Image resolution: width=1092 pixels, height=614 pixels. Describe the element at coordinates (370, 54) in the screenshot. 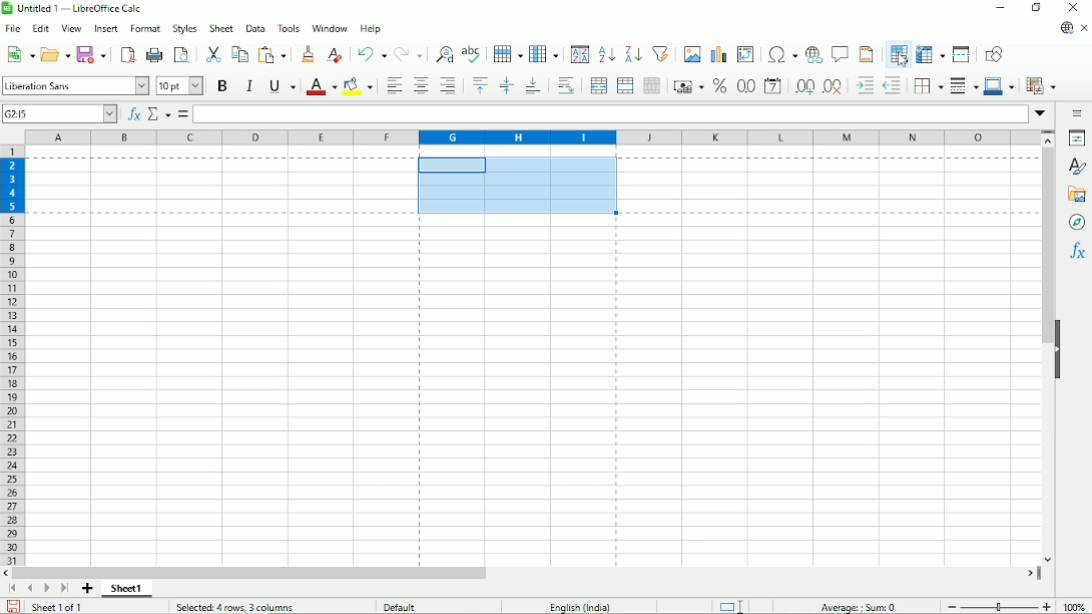

I see `undo` at that location.